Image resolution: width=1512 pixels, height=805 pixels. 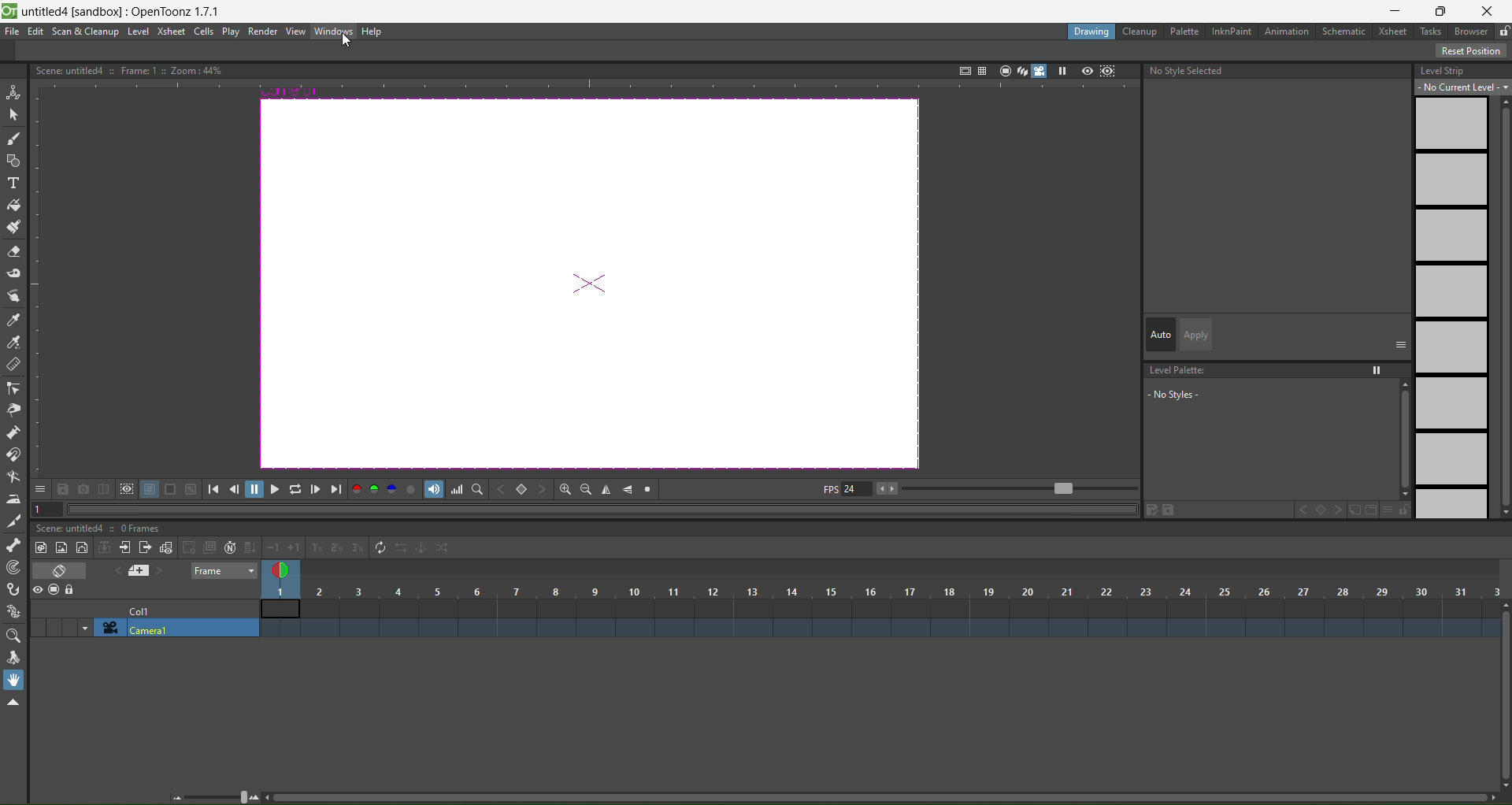 What do you see at coordinates (586, 488) in the screenshot?
I see `zoom out` at bounding box center [586, 488].